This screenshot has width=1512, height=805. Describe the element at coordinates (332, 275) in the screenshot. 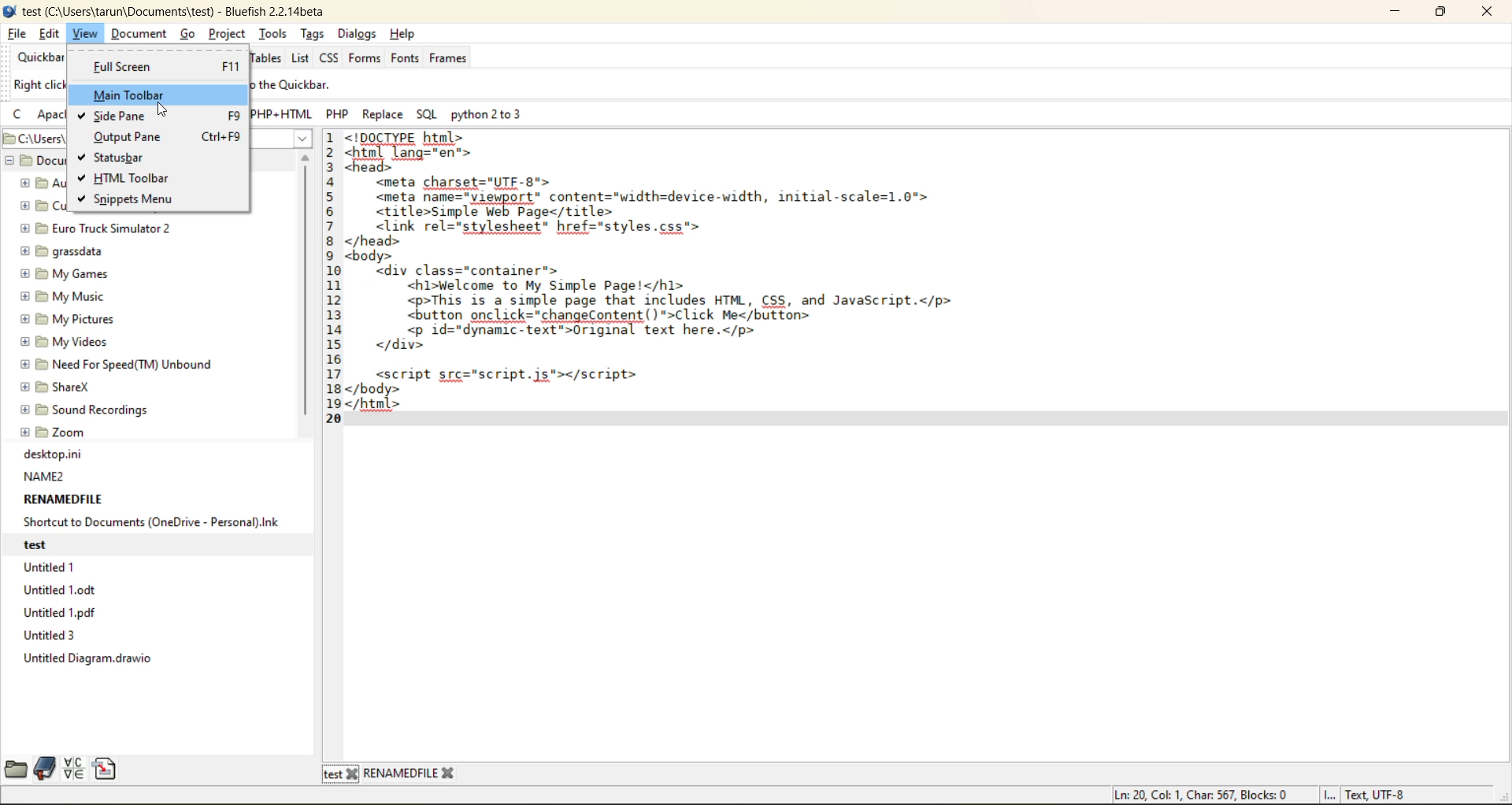

I see `line numbers` at that location.